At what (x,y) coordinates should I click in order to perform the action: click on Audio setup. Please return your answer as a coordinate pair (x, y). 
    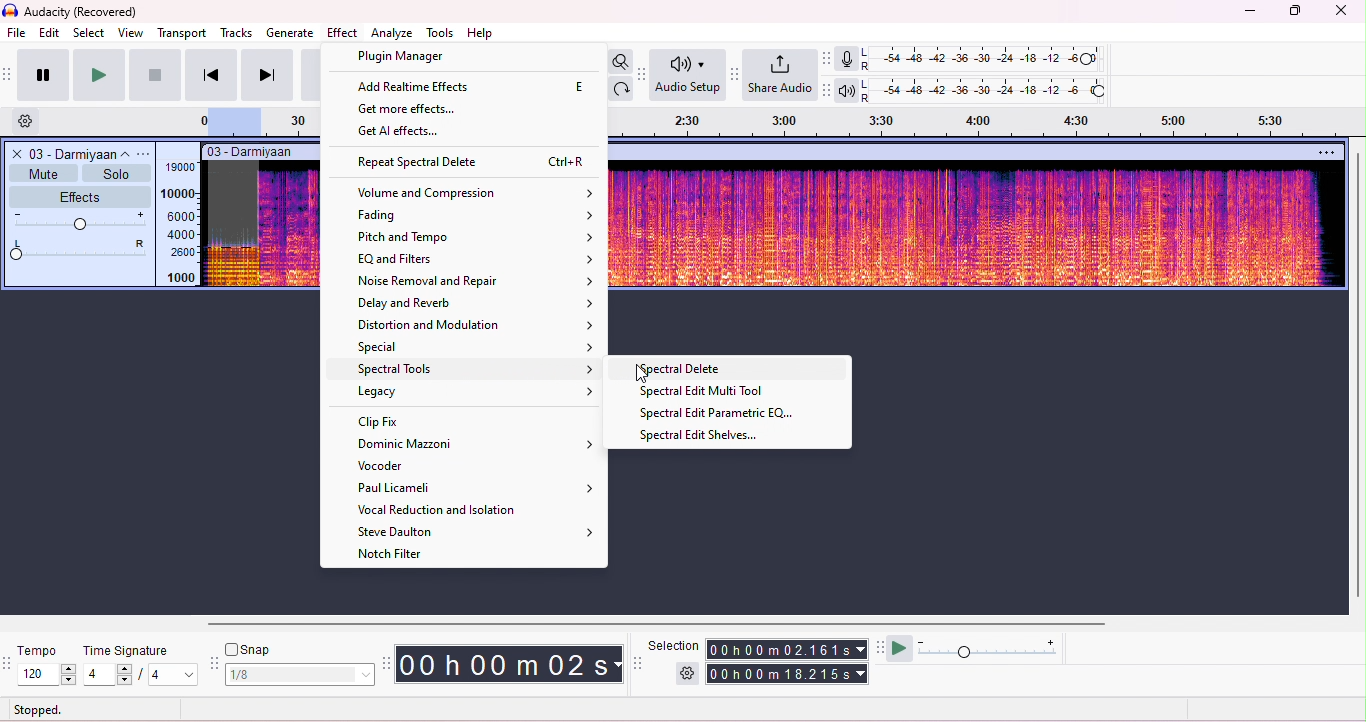
    Looking at the image, I should click on (687, 75).